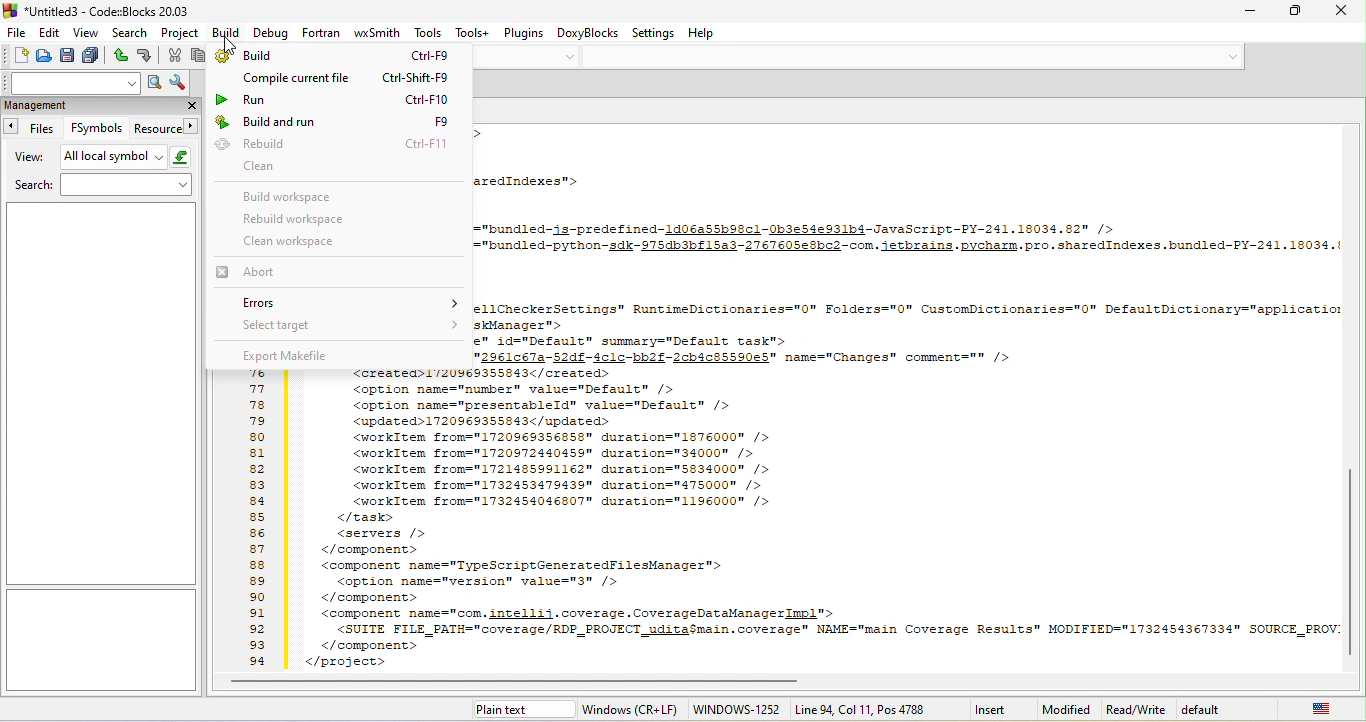 This screenshot has width=1366, height=722. What do you see at coordinates (346, 304) in the screenshot?
I see `errors` at bounding box center [346, 304].